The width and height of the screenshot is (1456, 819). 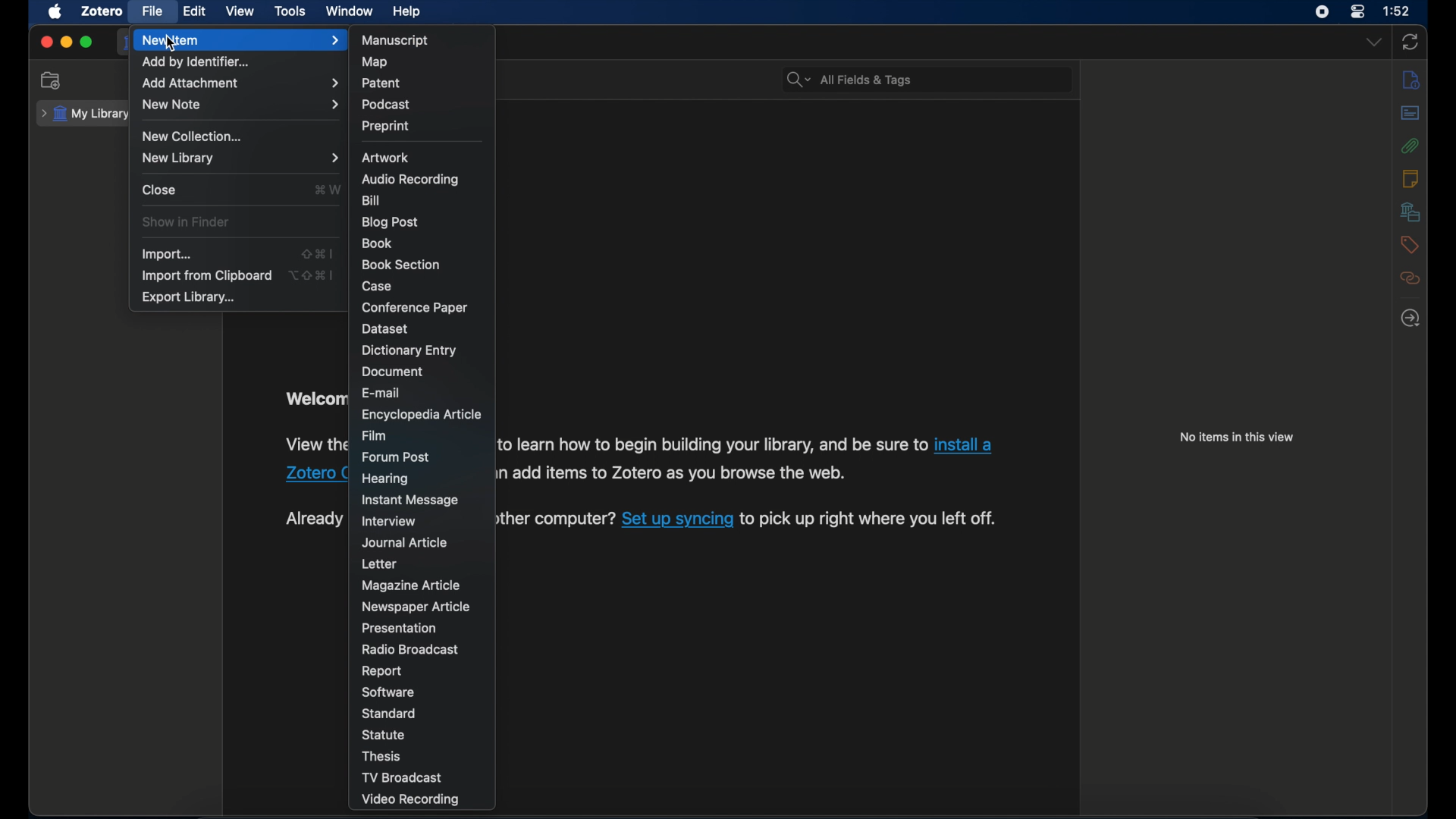 I want to click on minimize, so click(x=65, y=42).